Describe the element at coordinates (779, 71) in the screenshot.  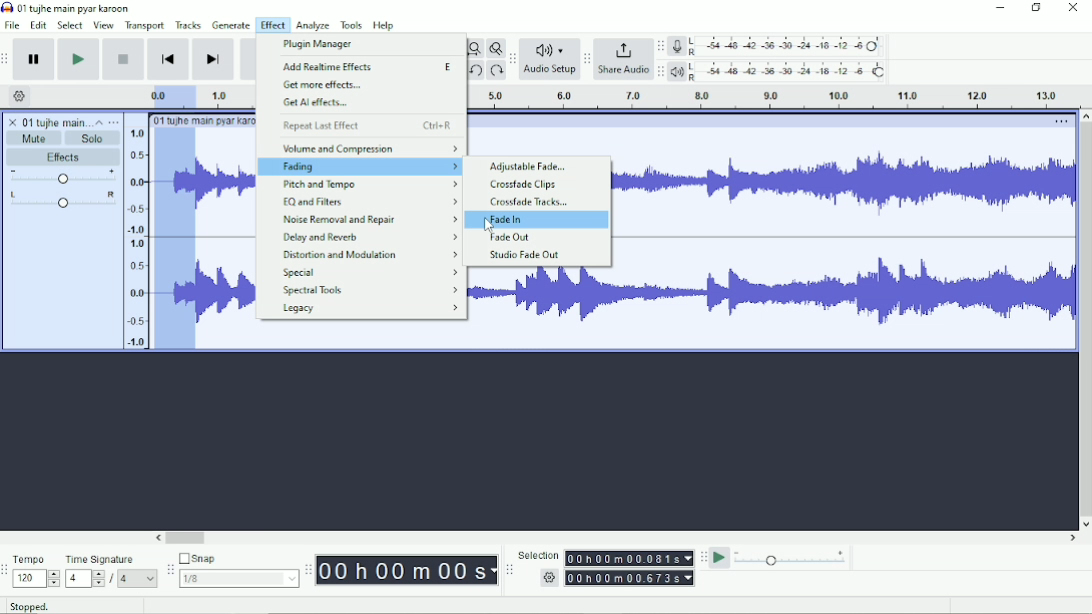
I see `Playback Meter` at that location.